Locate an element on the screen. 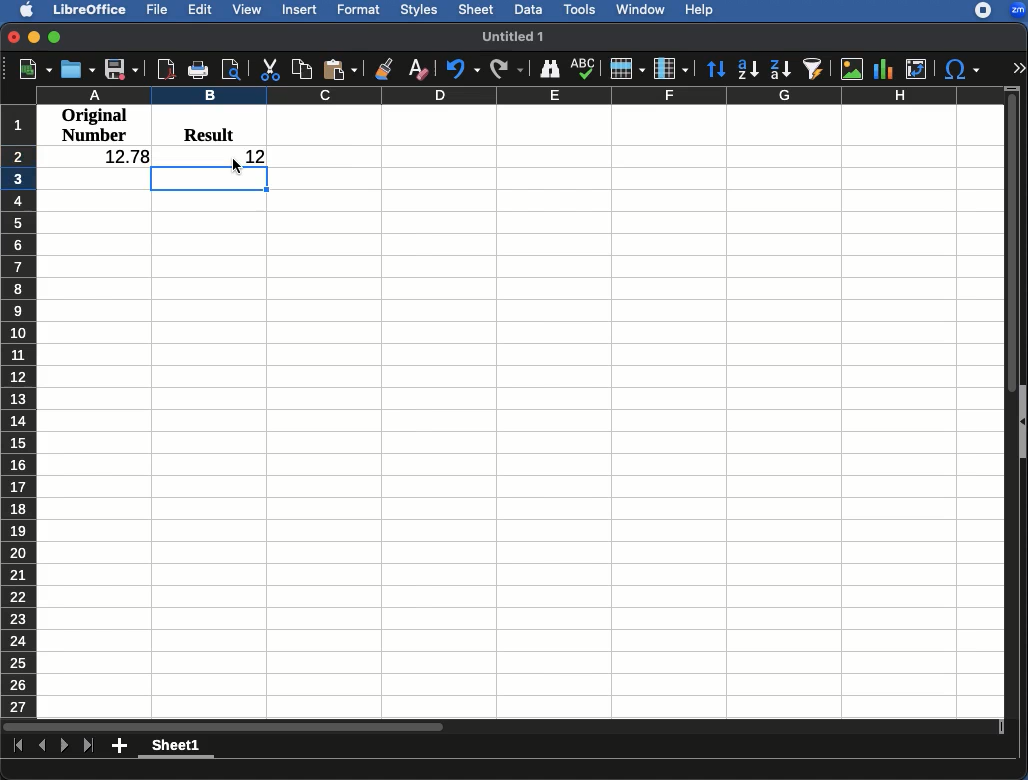 The height and width of the screenshot is (780, 1028). Format is located at coordinates (359, 9).